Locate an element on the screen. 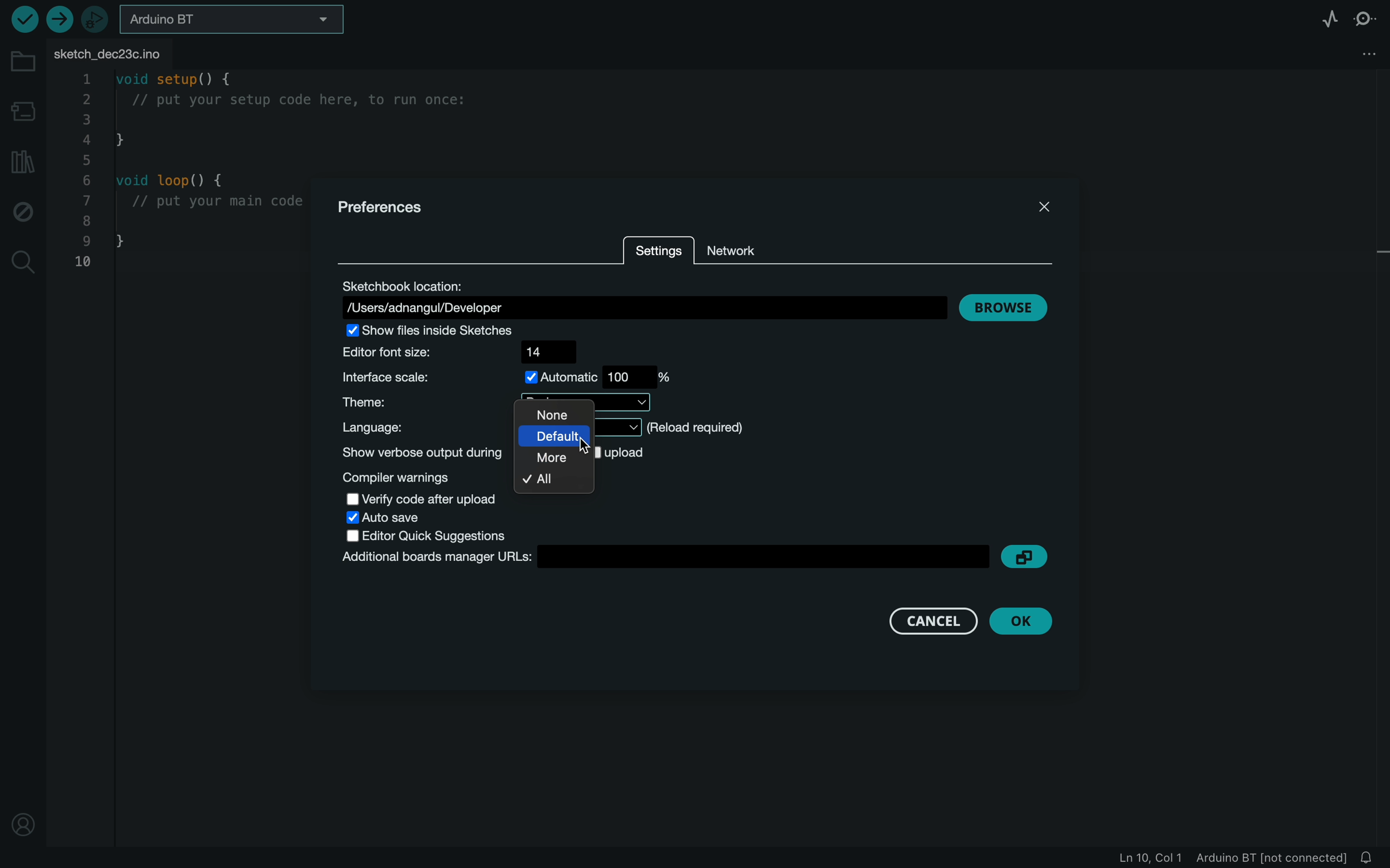 The image size is (1390, 868). ok is located at coordinates (1025, 621).